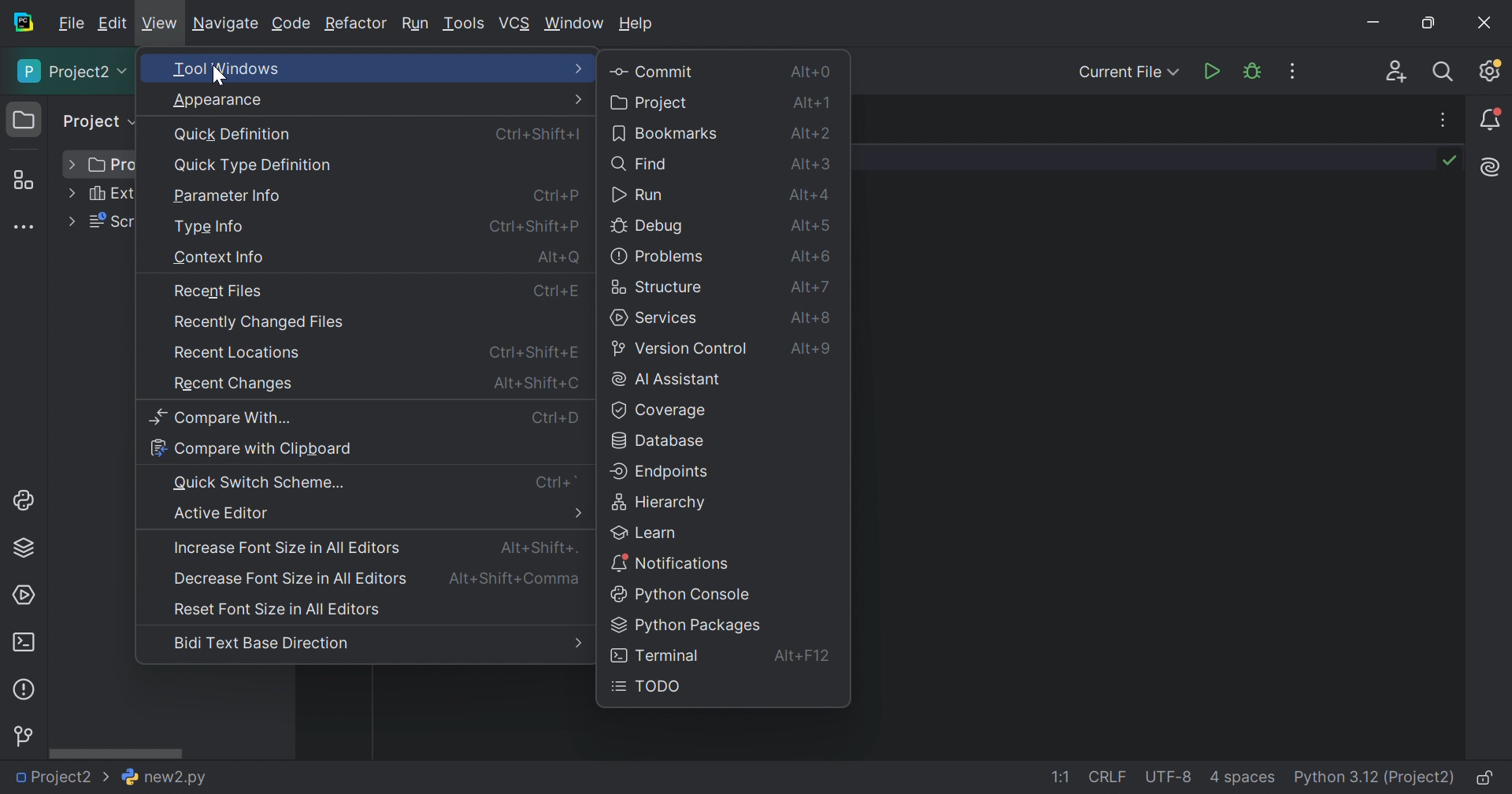  What do you see at coordinates (515, 580) in the screenshot?
I see `Alt+Shift+,` at bounding box center [515, 580].